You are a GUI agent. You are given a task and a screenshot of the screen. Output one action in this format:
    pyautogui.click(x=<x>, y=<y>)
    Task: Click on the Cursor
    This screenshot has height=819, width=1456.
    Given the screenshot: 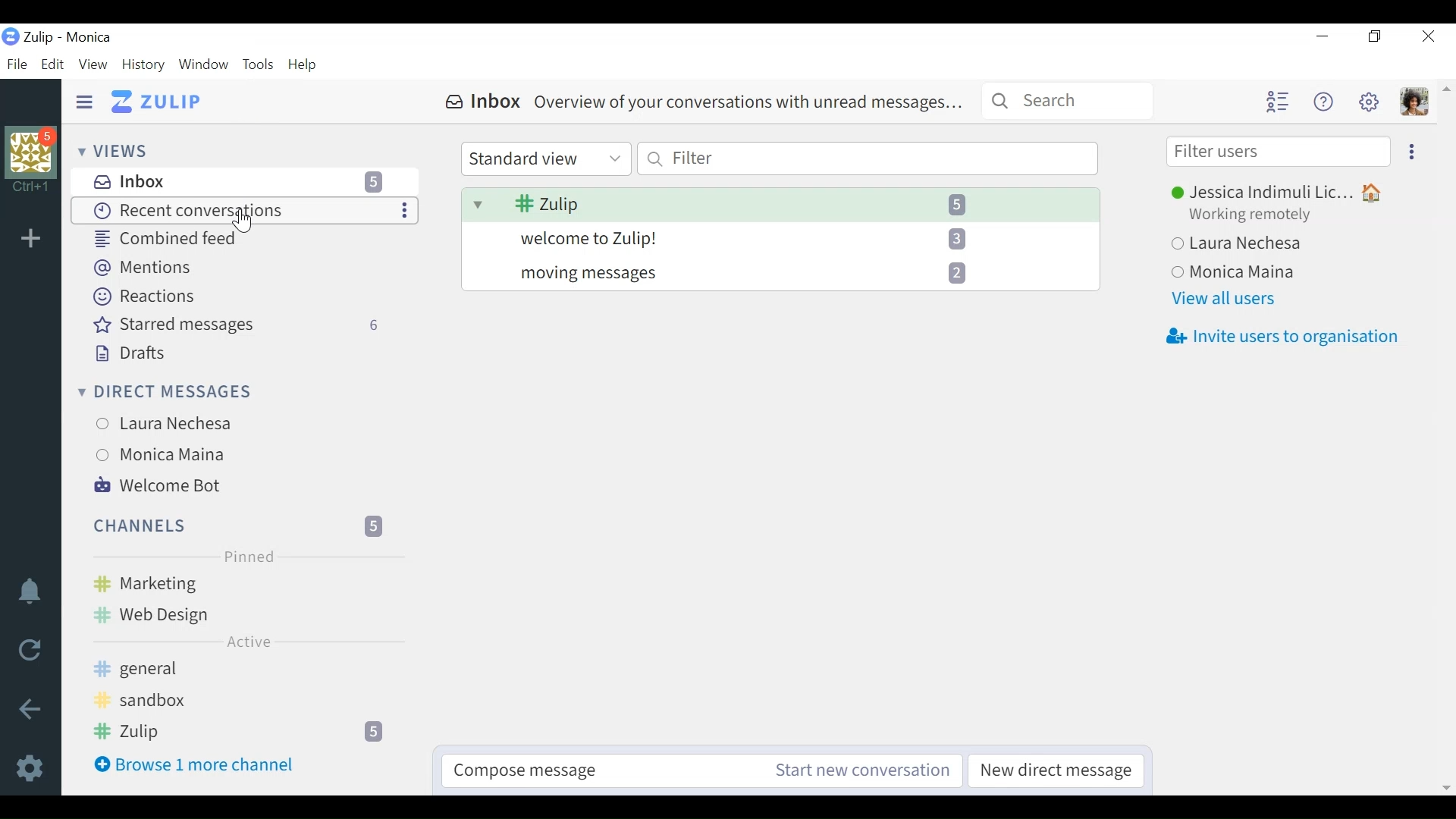 What is the action you would take?
    pyautogui.click(x=243, y=220)
    